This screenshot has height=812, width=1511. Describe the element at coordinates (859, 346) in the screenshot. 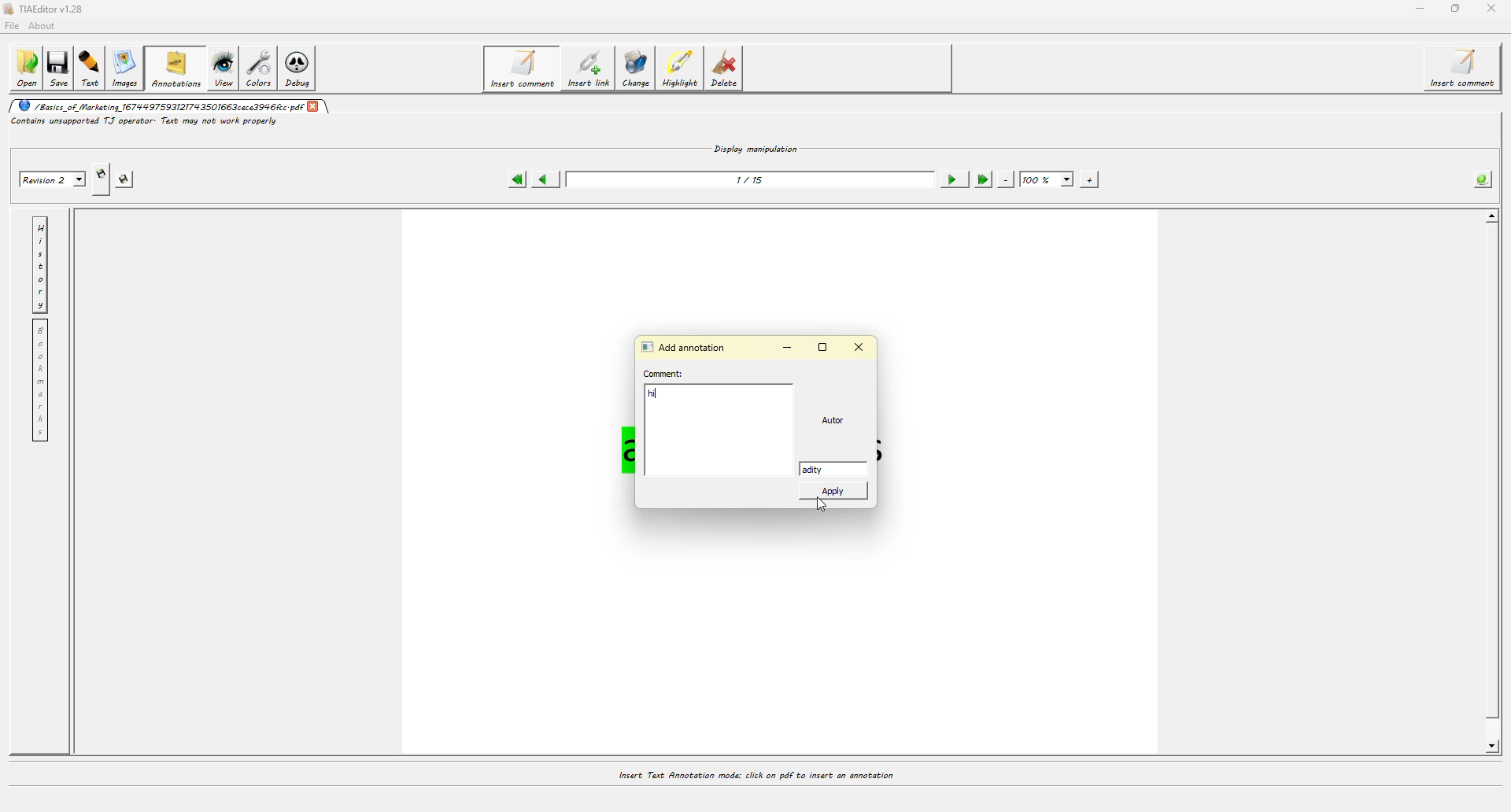

I see `close` at that location.